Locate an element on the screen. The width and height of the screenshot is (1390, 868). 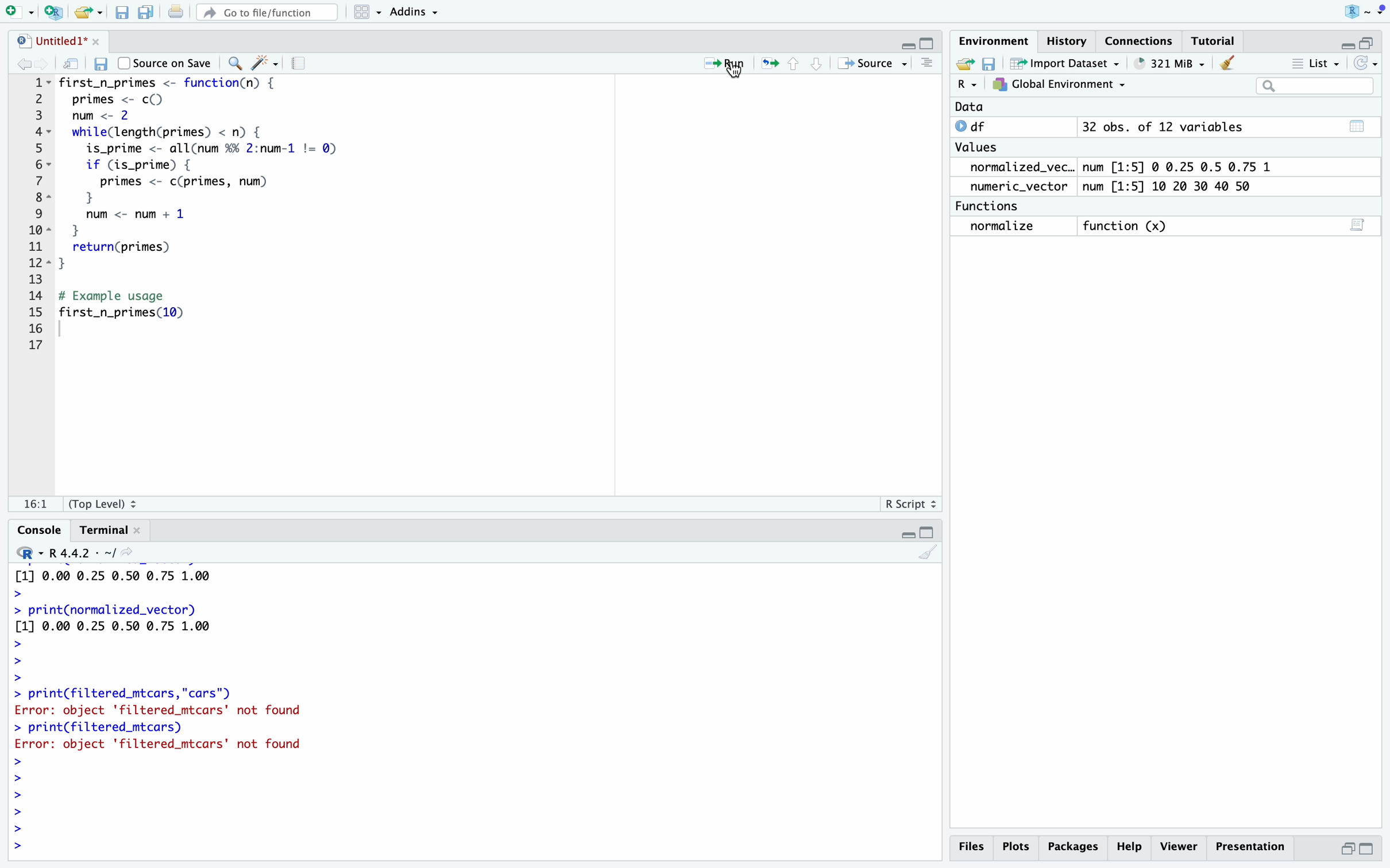
(Top Level) 2 is located at coordinates (115, 501).